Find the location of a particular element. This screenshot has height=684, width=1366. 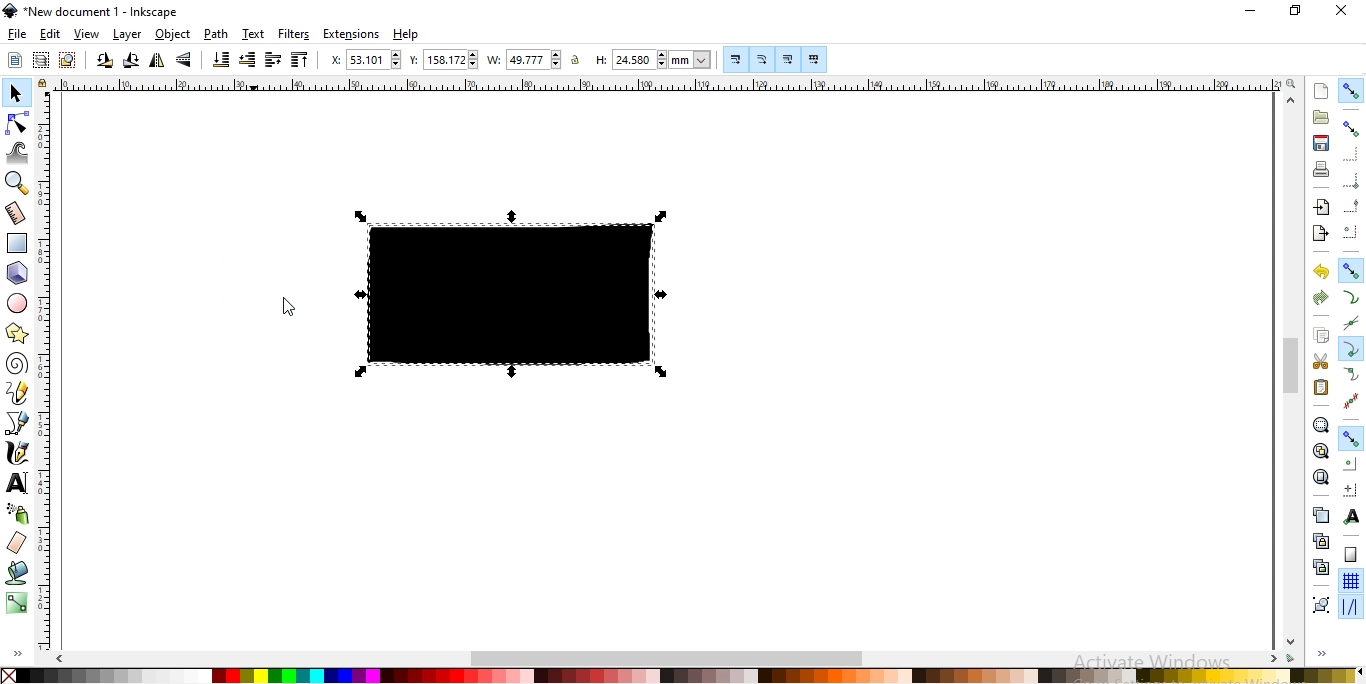

create spirals is located at coordinates (18, 364).